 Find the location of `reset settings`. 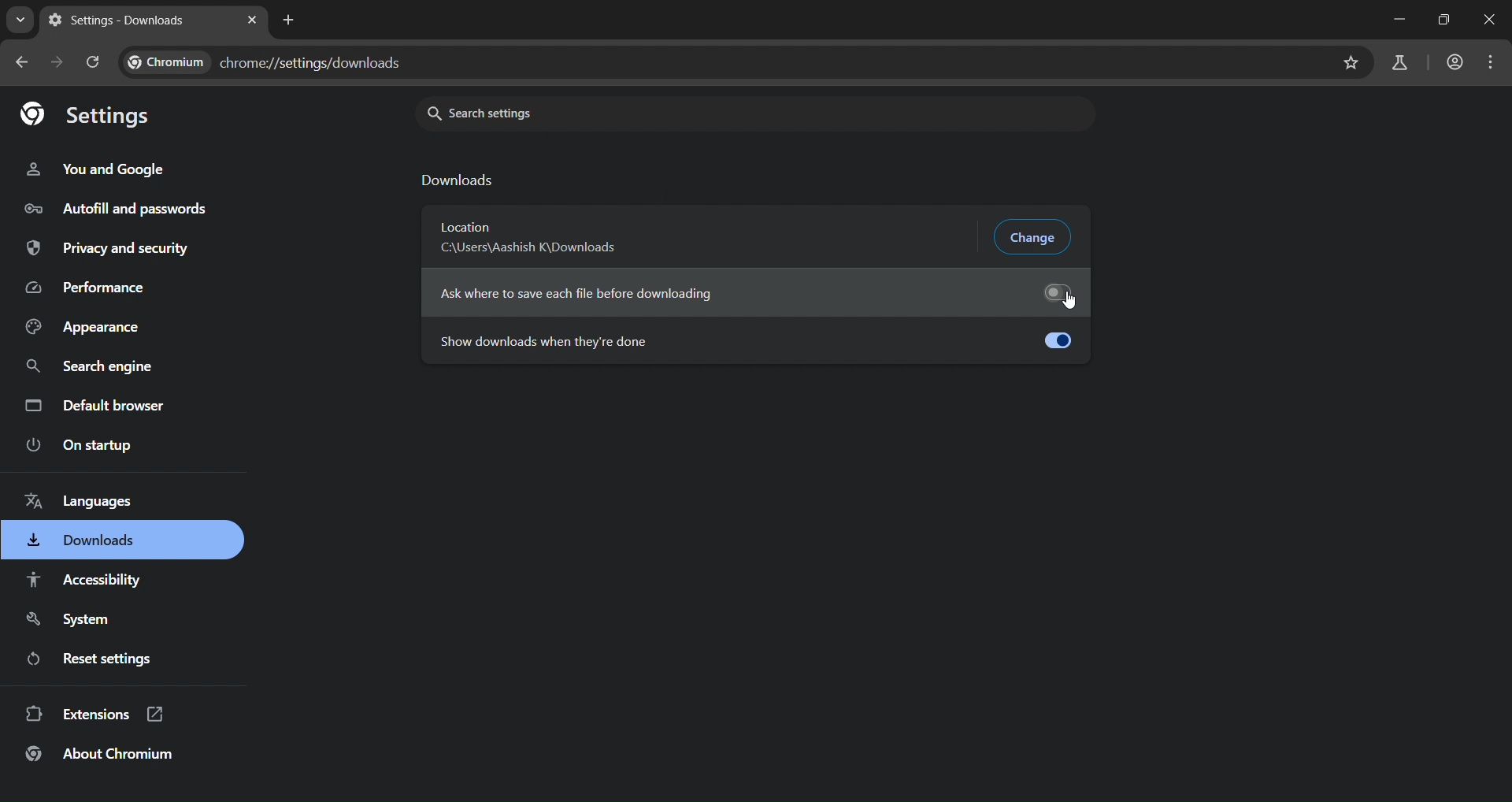

reset settings is located at coordinates (94, 659).